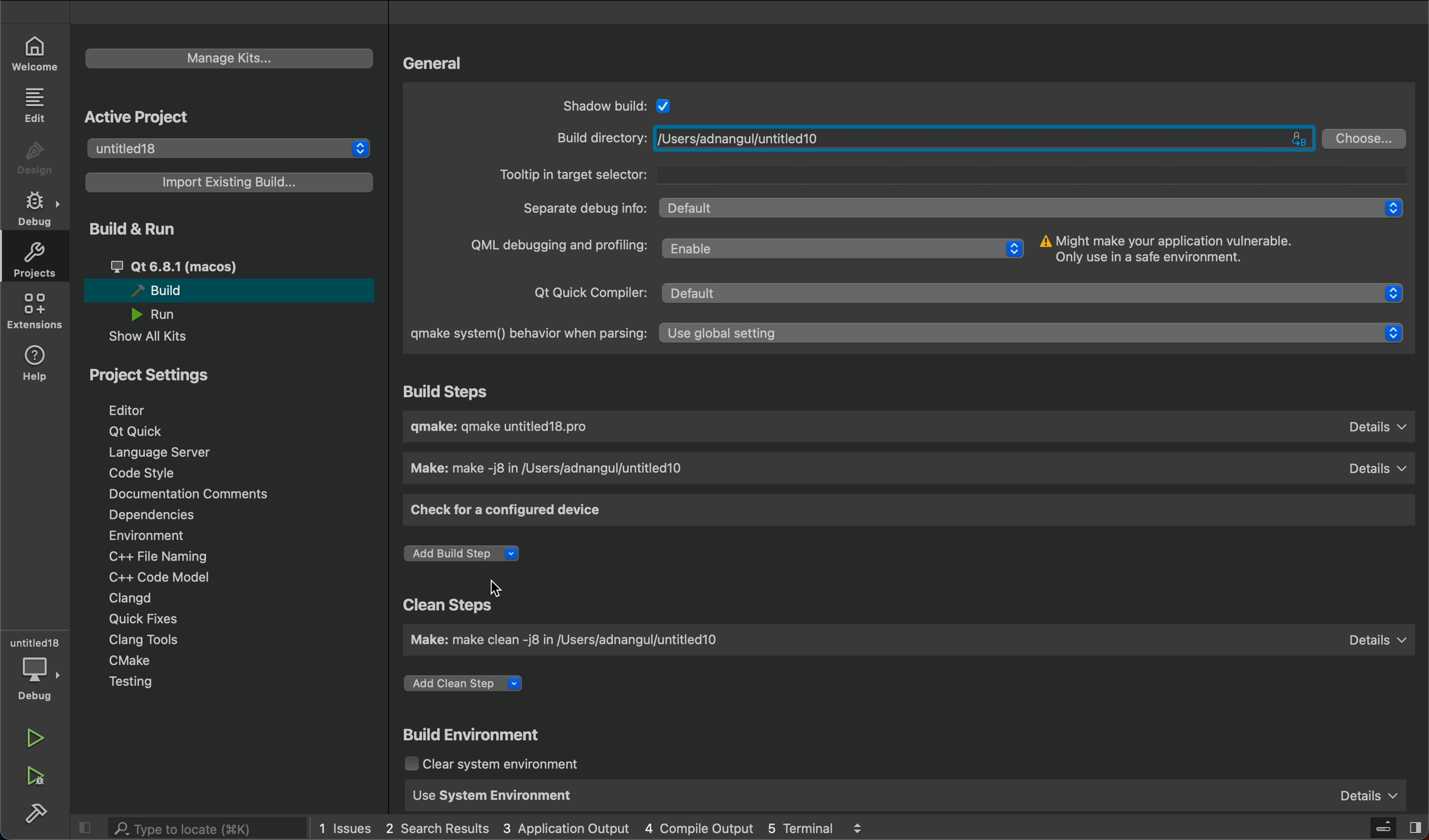 The image size is (1429, 840). I want to click on Code Style, so click(147, 472).